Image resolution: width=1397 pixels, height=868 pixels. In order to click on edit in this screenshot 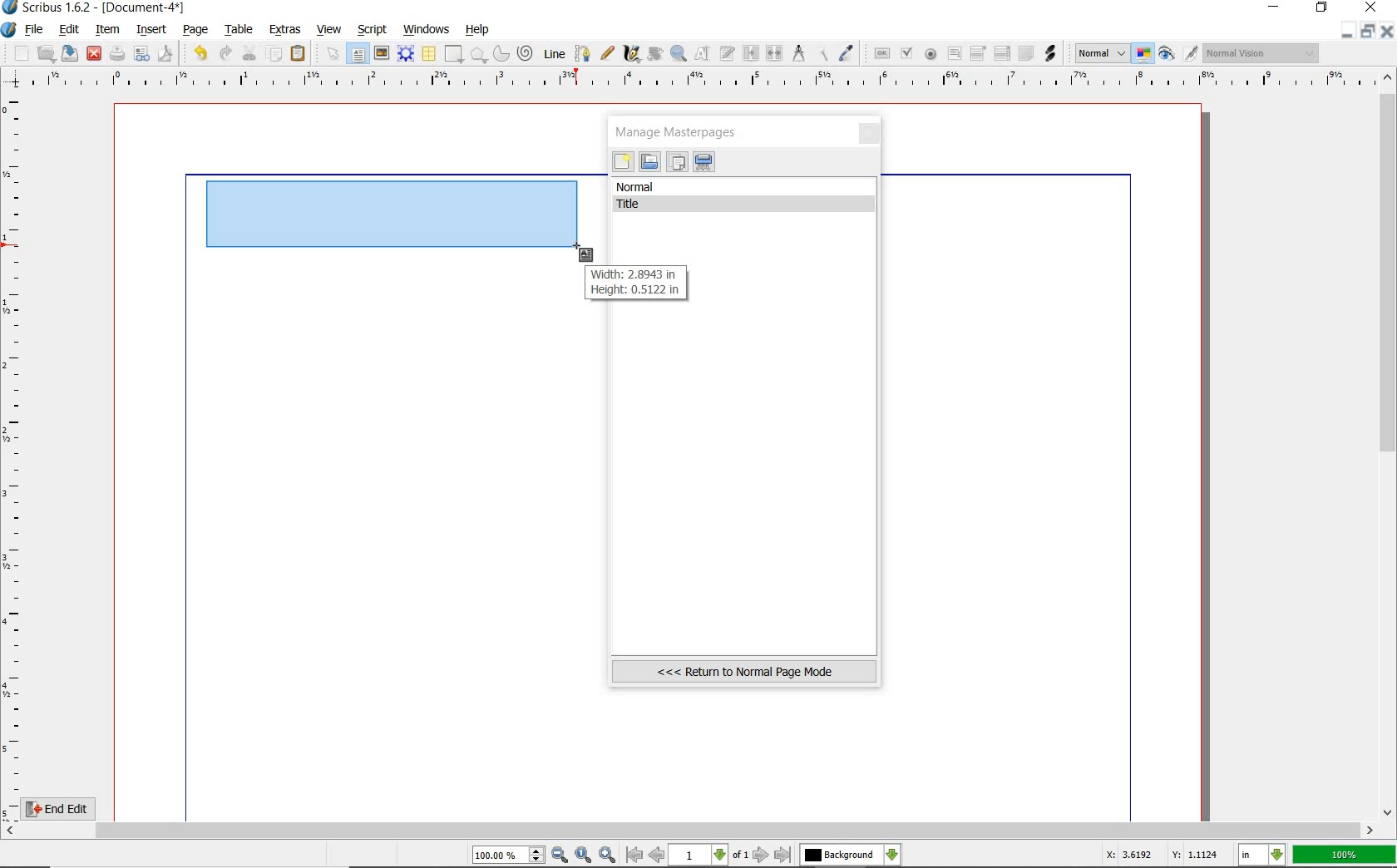, I will do `click(67, 31)`.